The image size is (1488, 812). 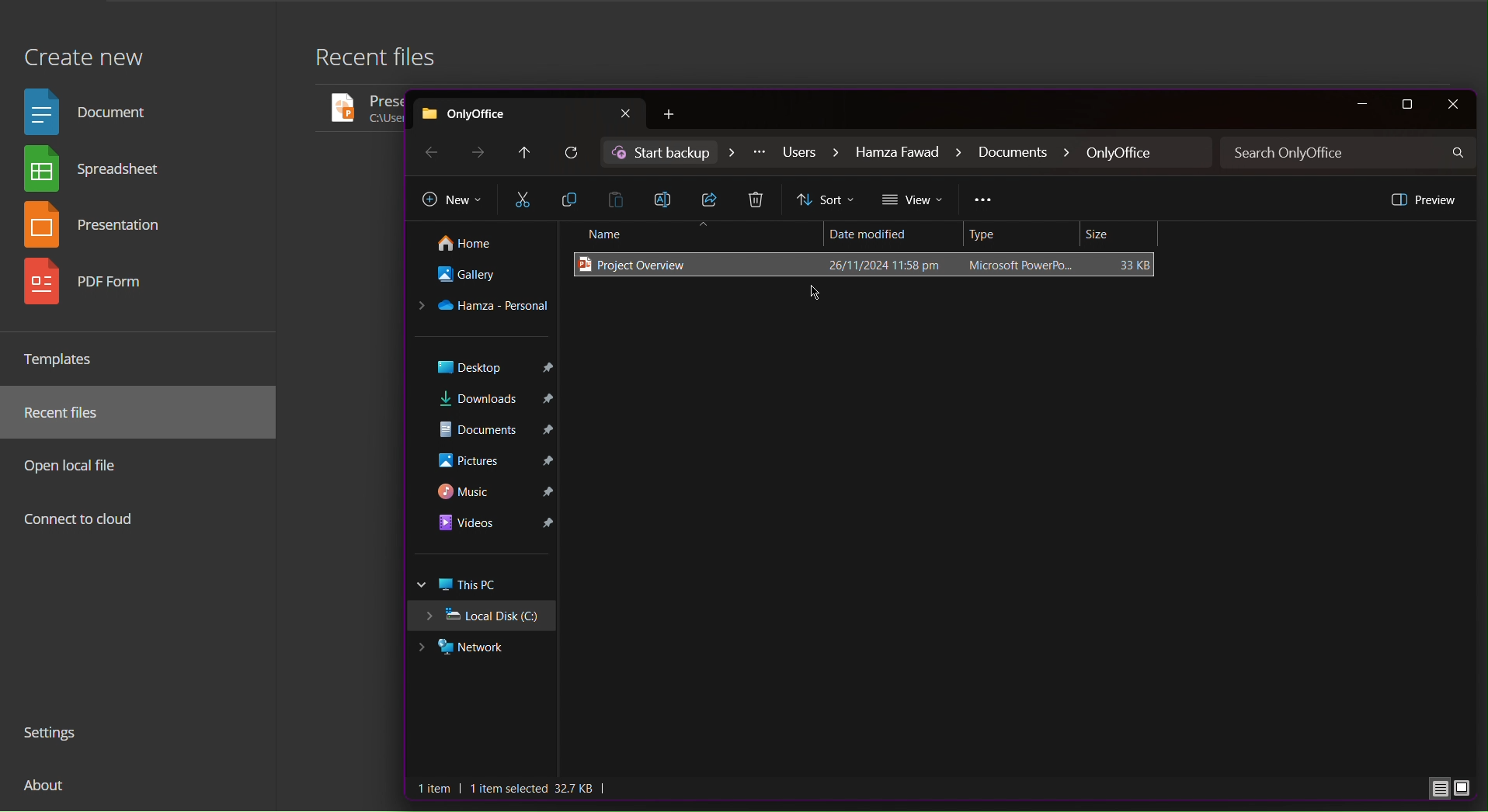 What do you see at coordinates (886, 231) in the screenshot?
I see `date modified` at bounding box center [886, 231].